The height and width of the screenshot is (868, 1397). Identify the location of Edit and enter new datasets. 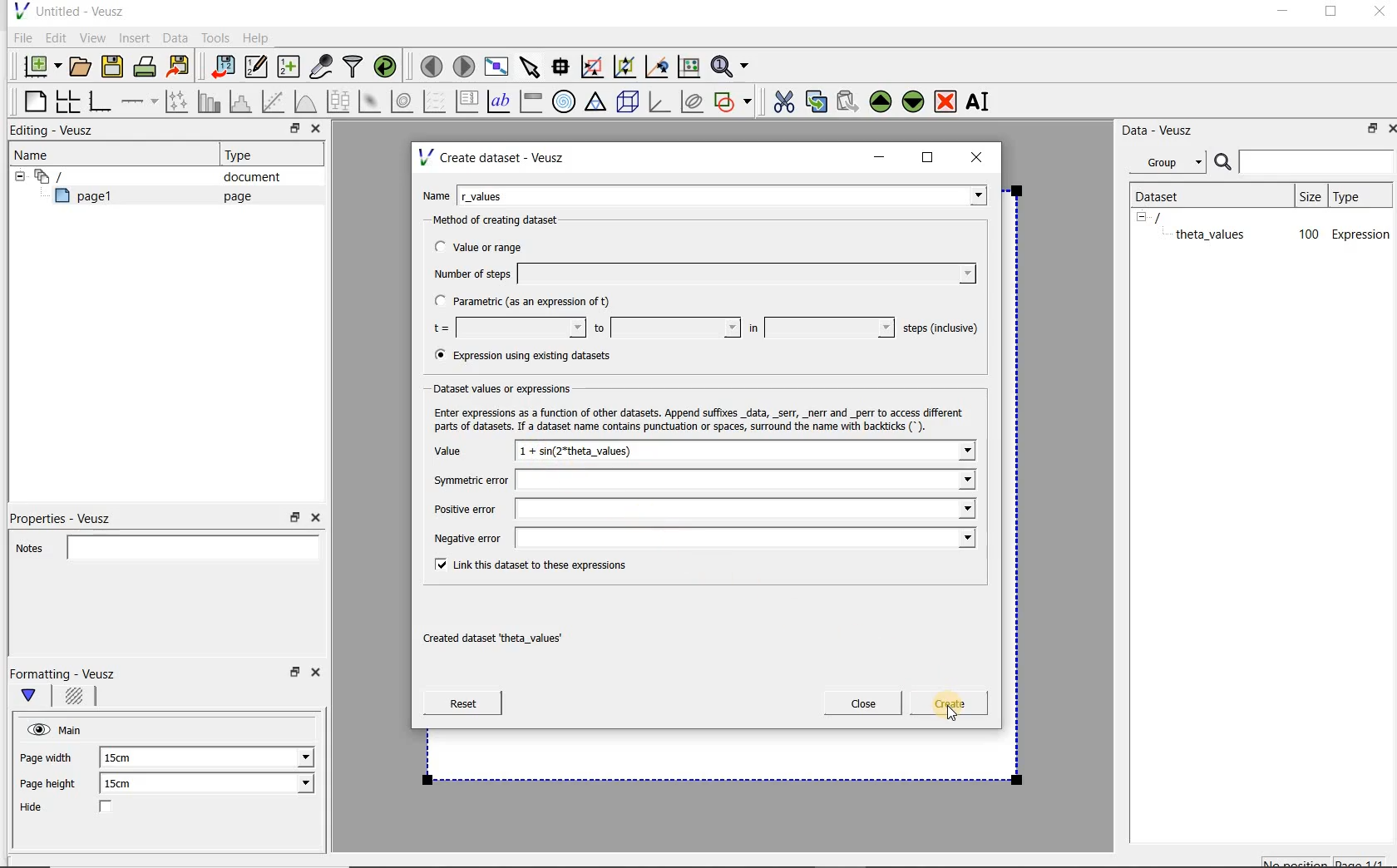
(257, 67).